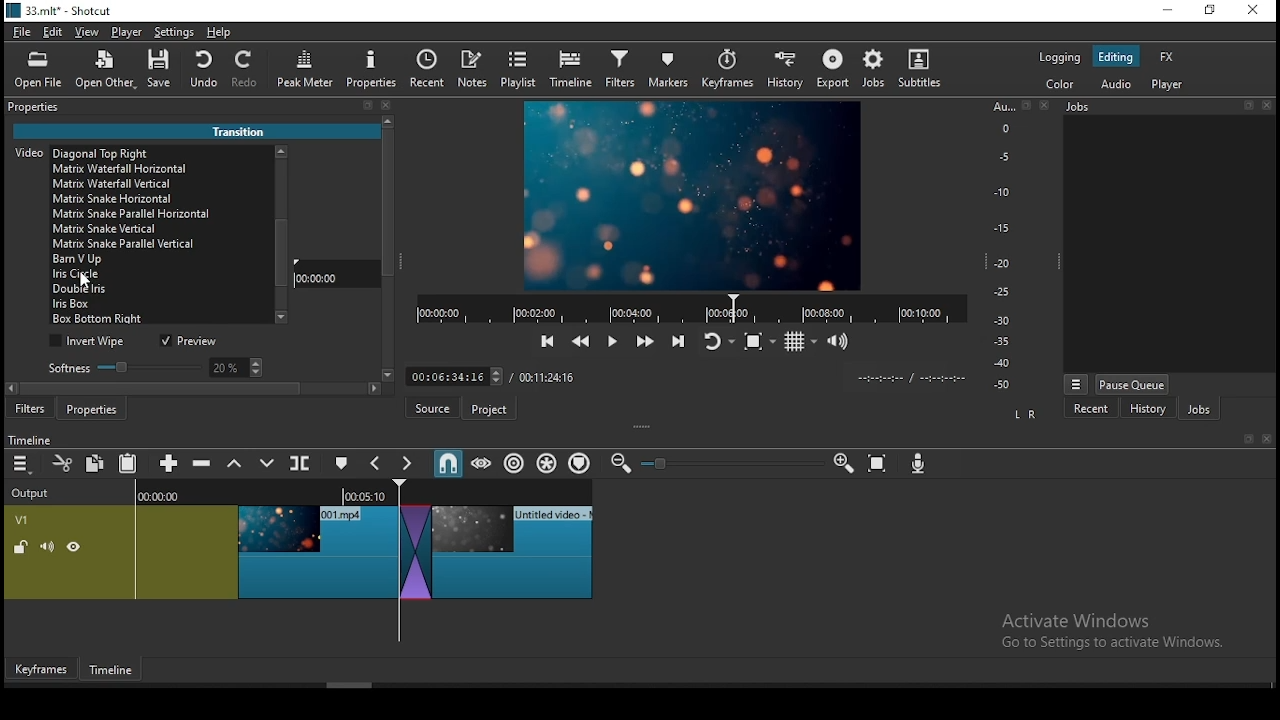 The image size is (1280, 720). I want to click on , so click(680, 375).